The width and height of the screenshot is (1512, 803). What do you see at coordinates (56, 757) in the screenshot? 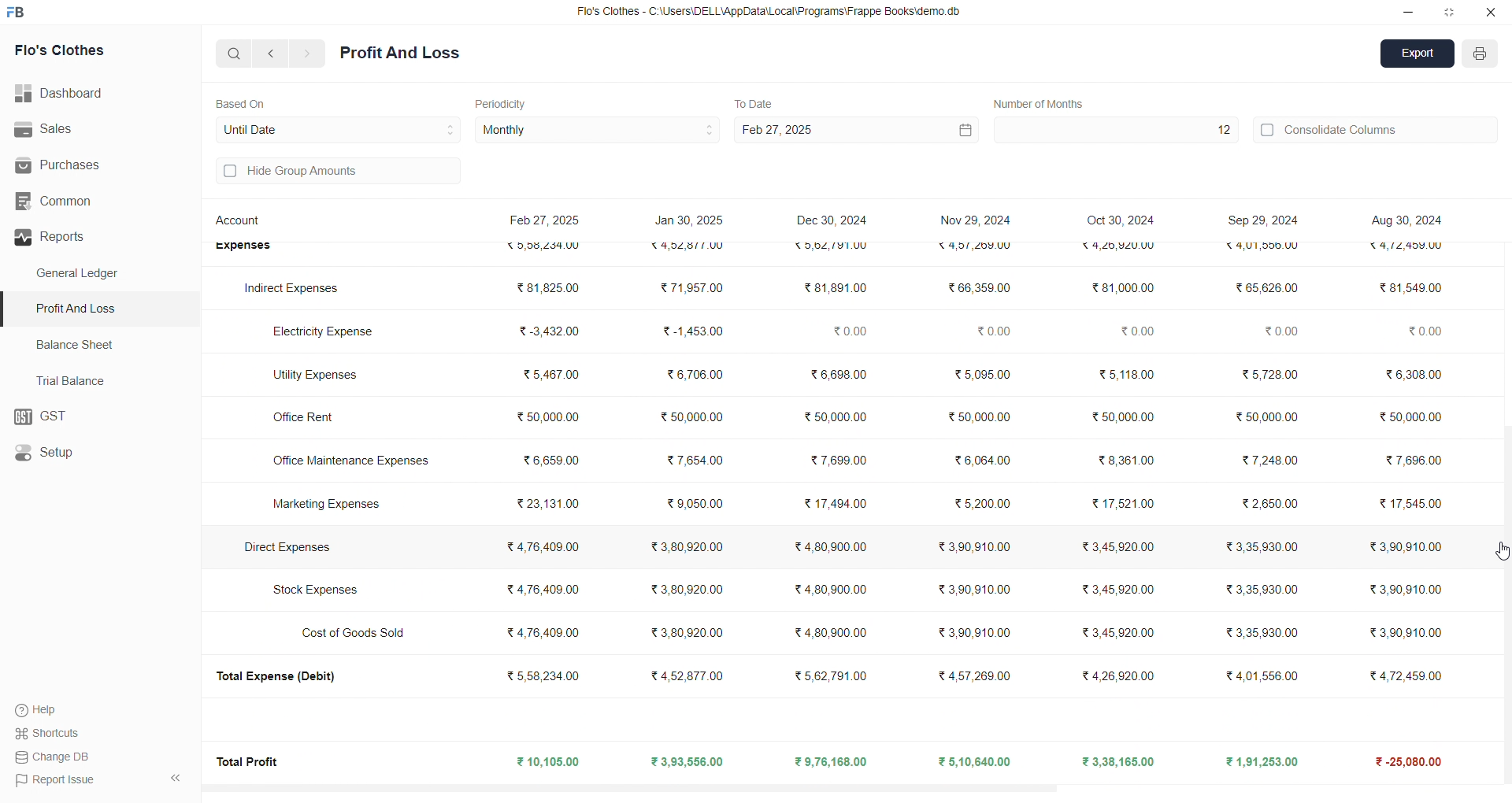
I see `Change DB` at bounding box center [56, 757].